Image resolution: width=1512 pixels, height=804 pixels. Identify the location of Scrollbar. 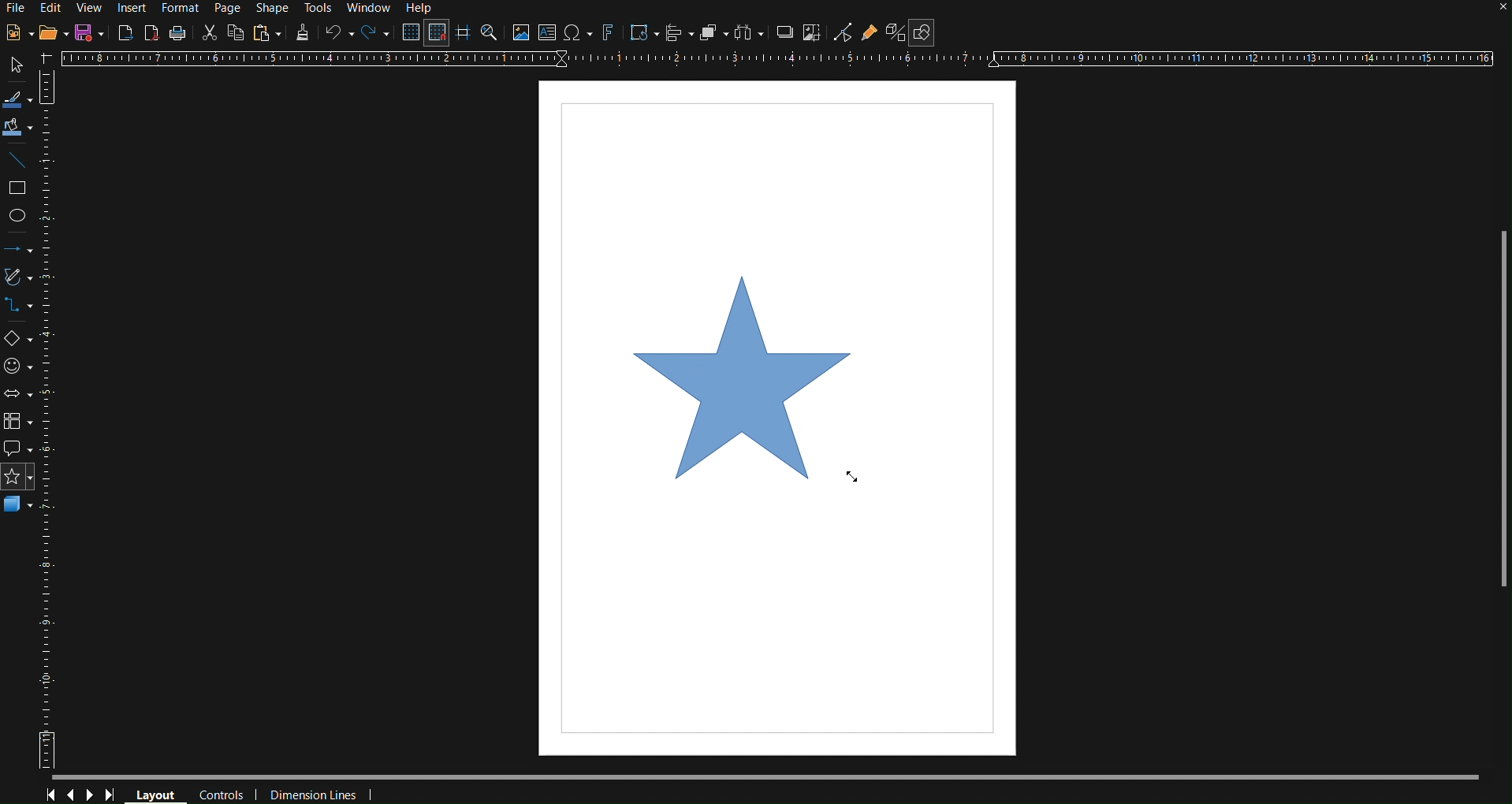
(766, 776).